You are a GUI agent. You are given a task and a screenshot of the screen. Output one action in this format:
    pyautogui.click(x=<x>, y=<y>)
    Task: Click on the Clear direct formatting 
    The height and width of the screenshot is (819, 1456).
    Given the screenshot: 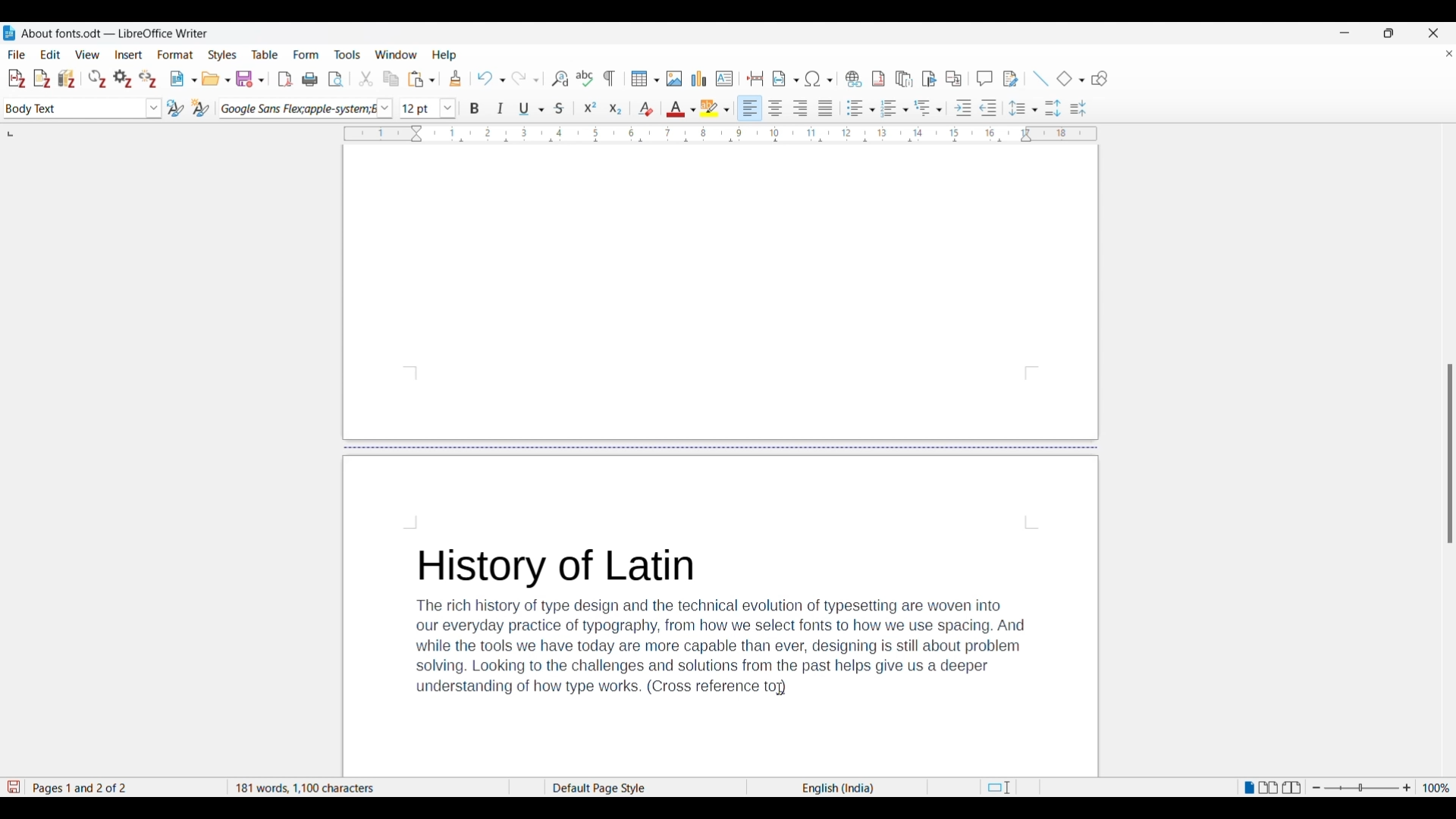 What is the action you would take?
    pyautogui.click(x=646, y=108)
    